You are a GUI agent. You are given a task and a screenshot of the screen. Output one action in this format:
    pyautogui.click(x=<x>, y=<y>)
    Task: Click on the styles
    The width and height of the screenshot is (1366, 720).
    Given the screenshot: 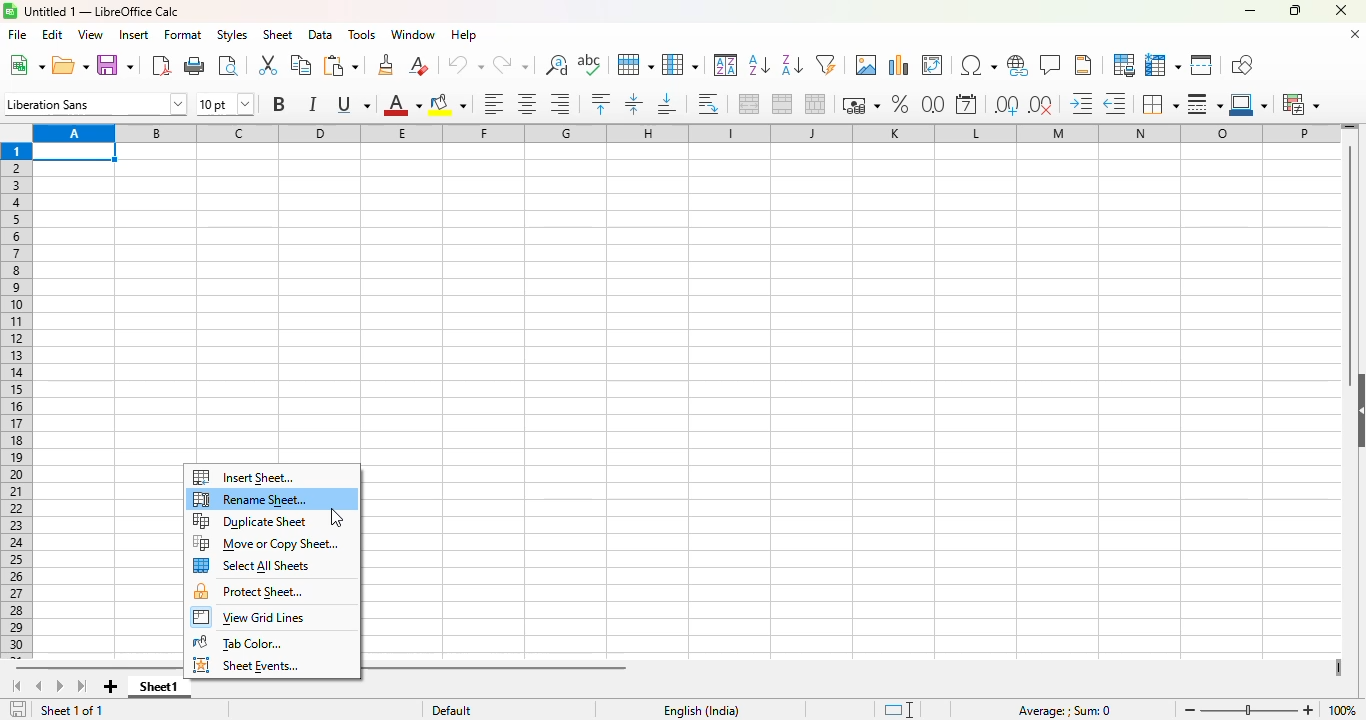 What is the action you would take?
    pyautogui.click(x=232, y=34)
    